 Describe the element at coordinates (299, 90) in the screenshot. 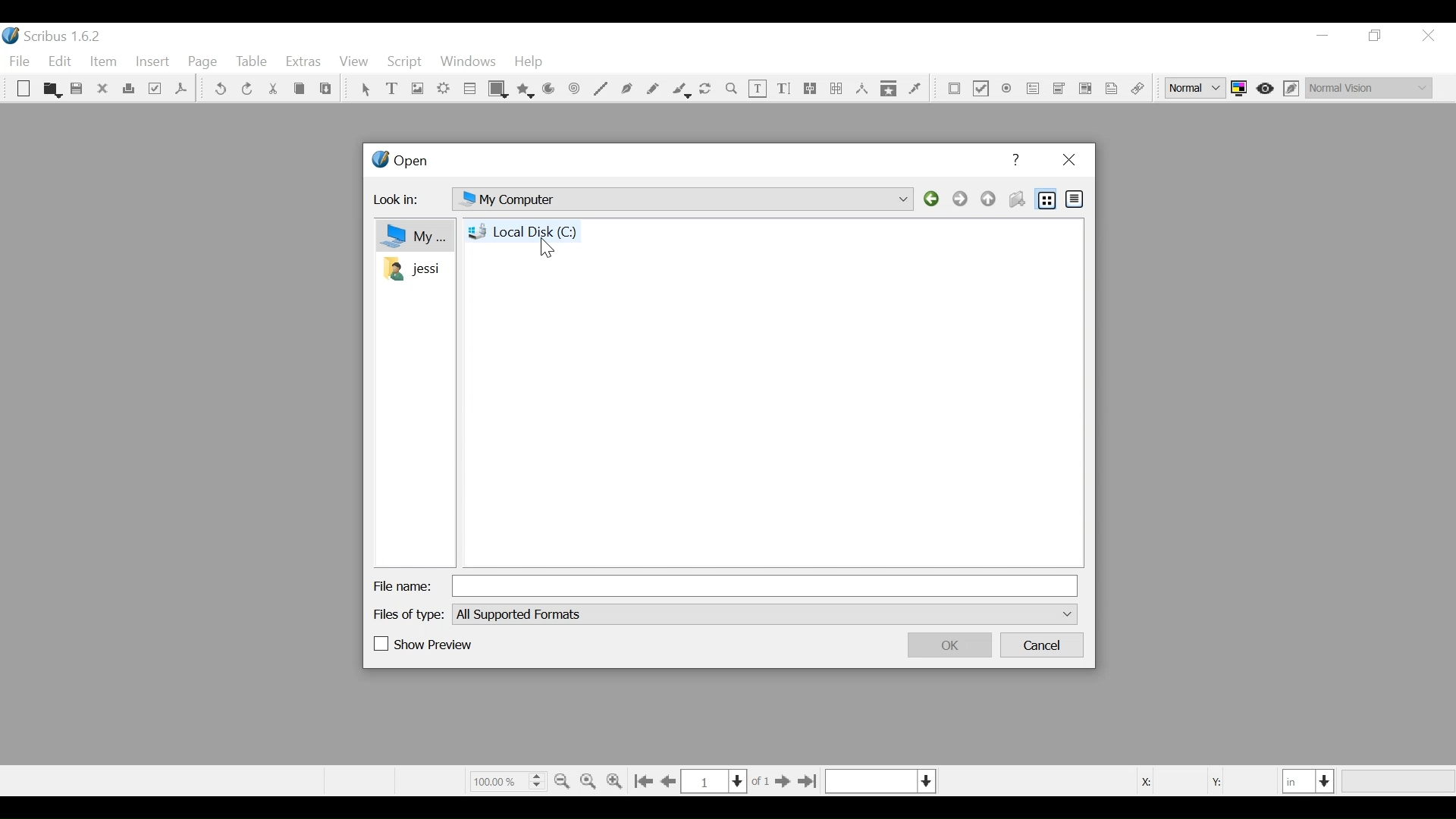

I see `Cop` at that location.